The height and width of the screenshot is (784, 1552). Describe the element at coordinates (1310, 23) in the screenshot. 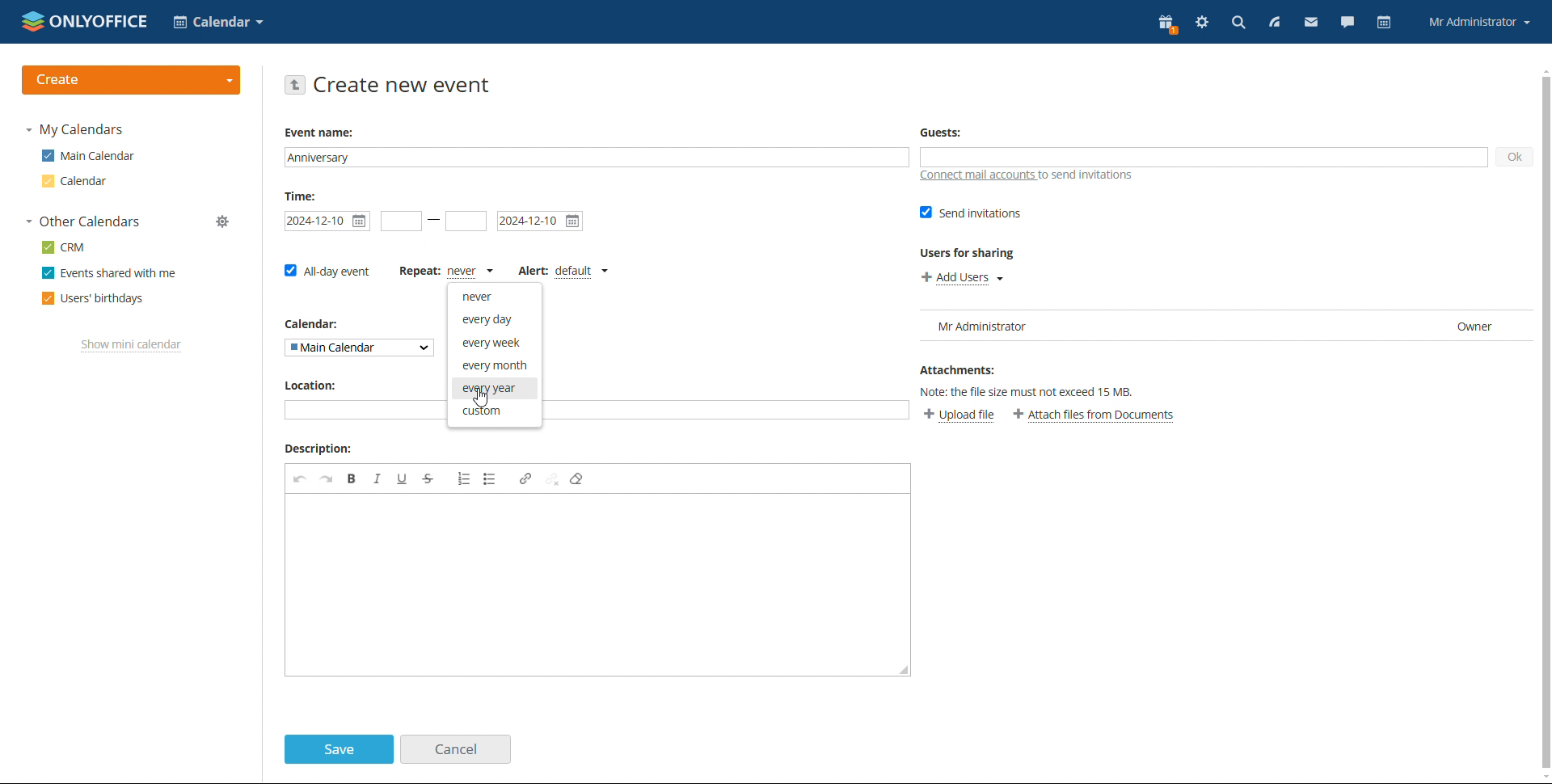

I see `mail` at that location.